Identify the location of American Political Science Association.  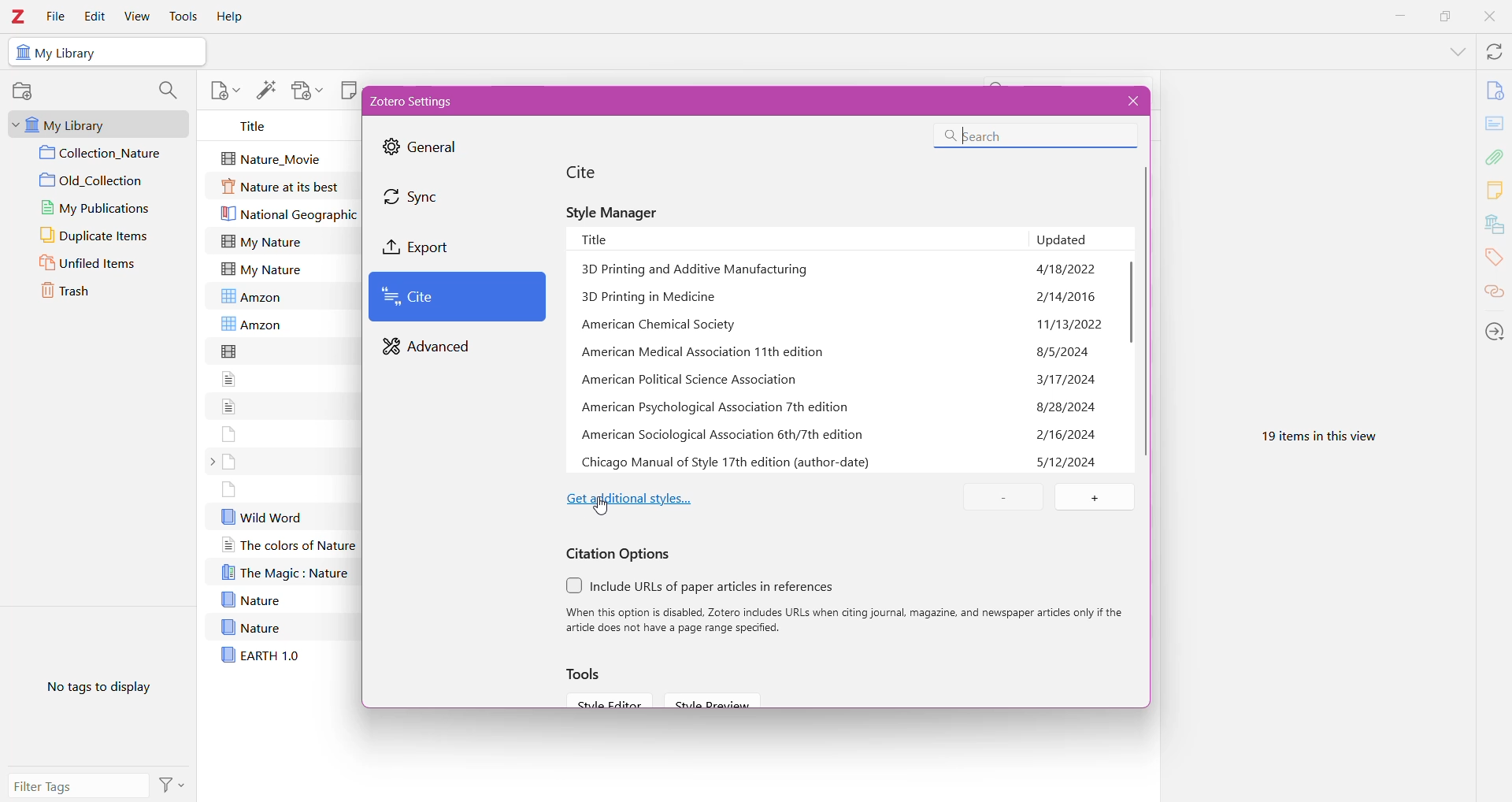
(690, 381).